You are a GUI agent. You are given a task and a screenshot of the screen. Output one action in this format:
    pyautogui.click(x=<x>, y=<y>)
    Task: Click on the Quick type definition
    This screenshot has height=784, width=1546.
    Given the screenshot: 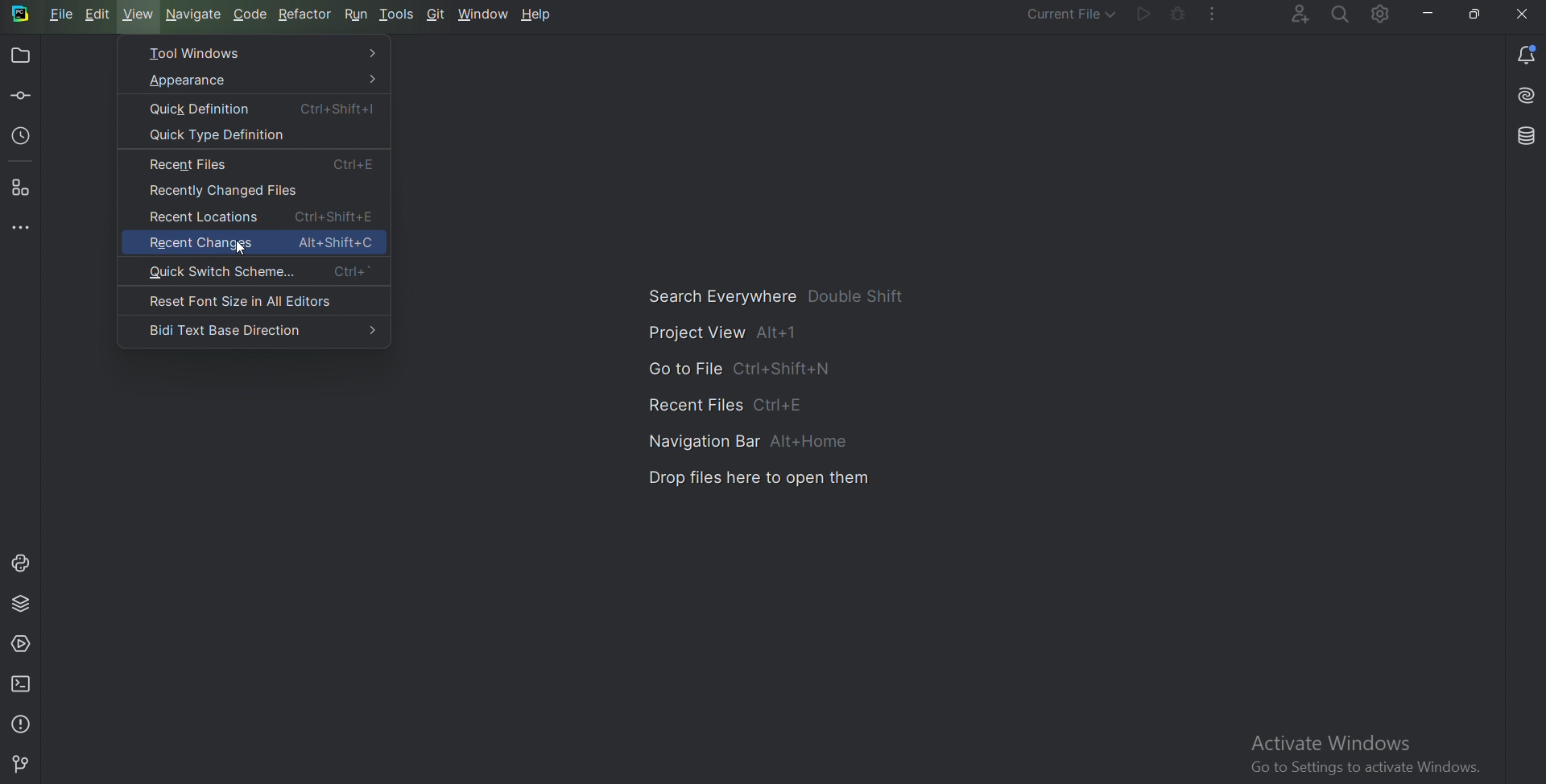 What is the action you would take?
    pyautogui.click(x=253, y=135)
    